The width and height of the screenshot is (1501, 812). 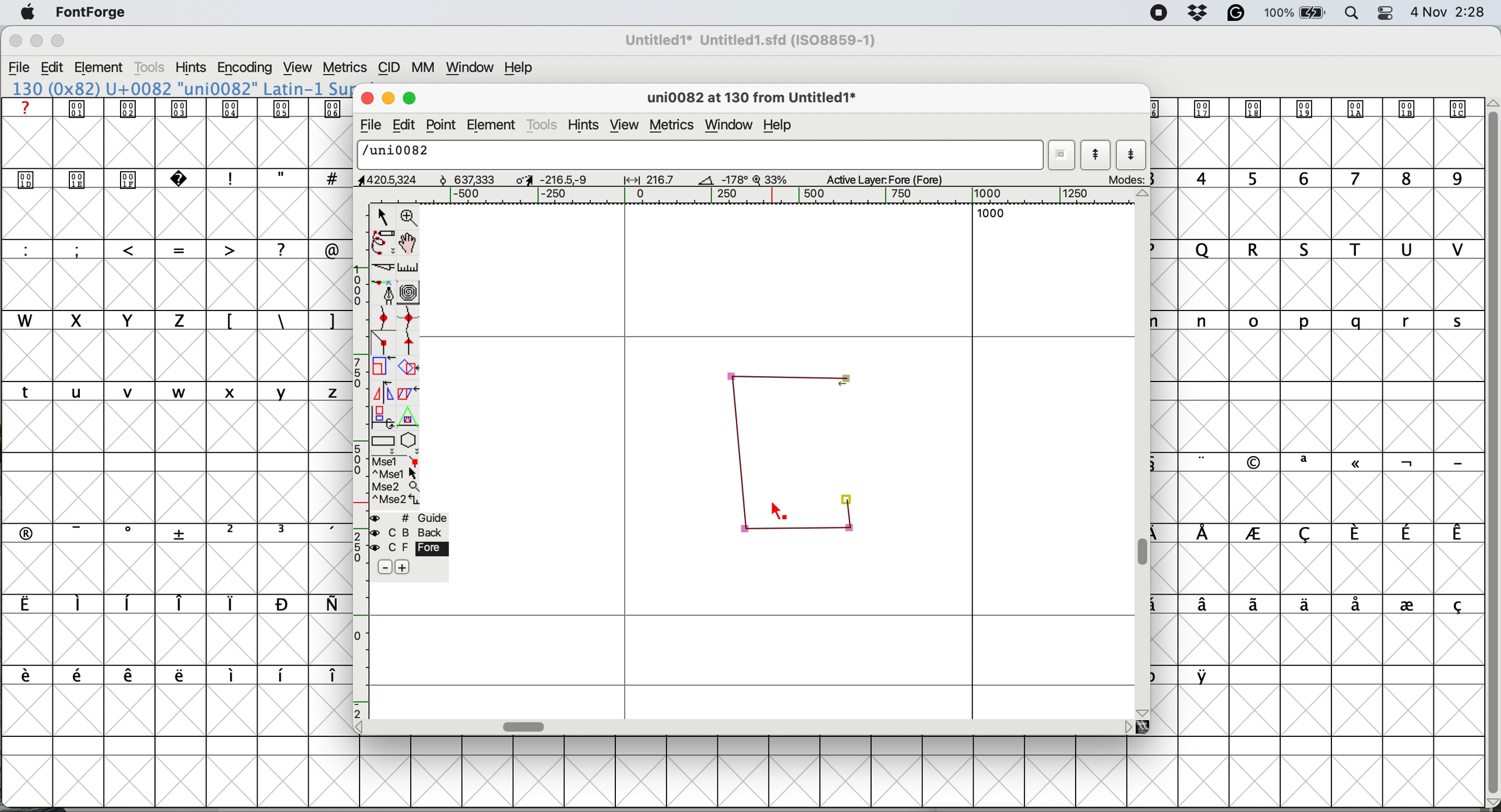 I want to click on rotate the selection, so click(x=409, y=369).